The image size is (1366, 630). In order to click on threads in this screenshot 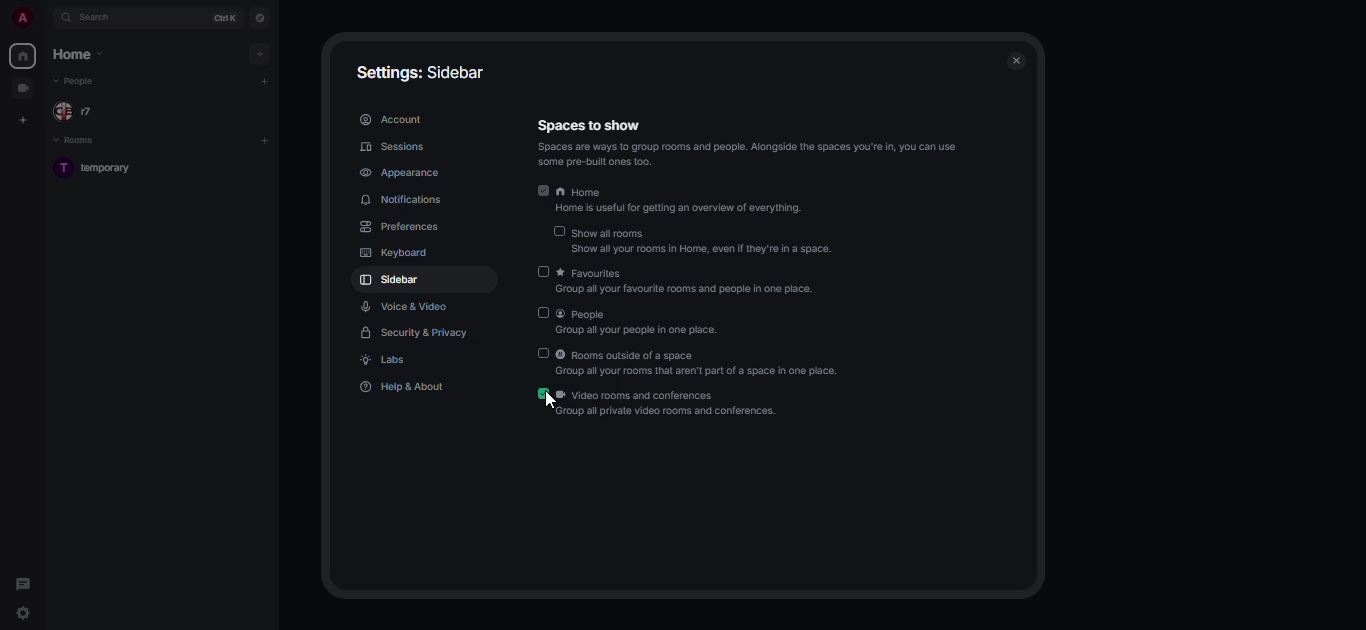, I will do `click(22, 583)`.